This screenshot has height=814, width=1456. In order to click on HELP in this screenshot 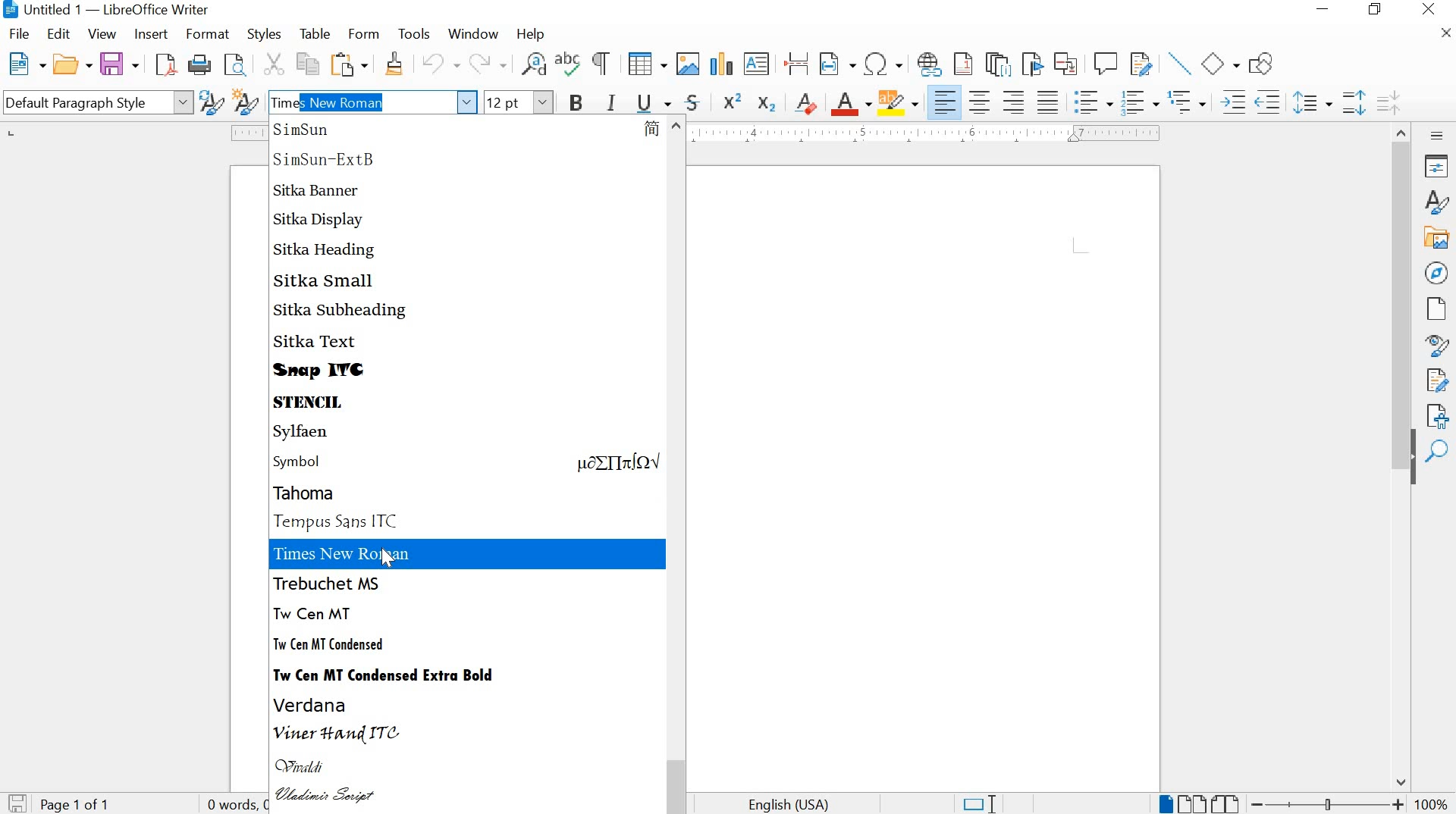, I will do `click(527, 35)`.